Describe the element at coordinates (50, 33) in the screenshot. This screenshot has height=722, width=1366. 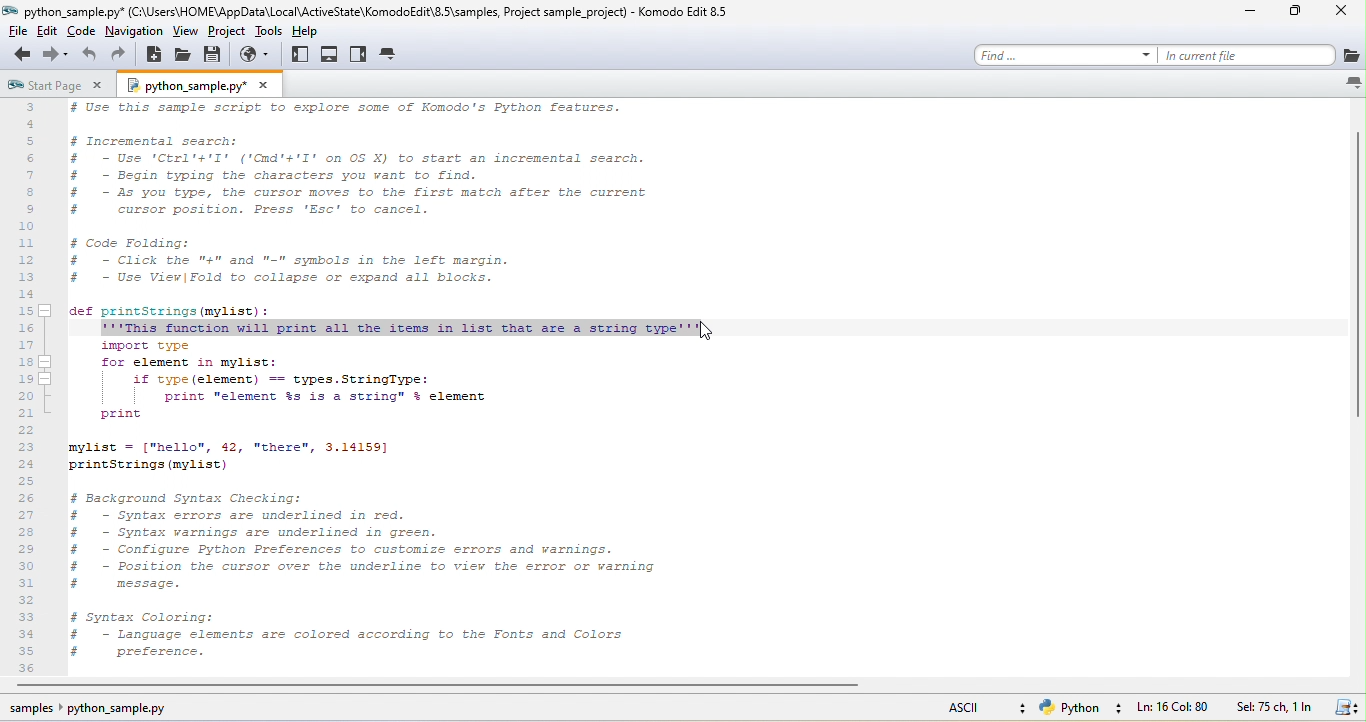
I see `edit` at that location.